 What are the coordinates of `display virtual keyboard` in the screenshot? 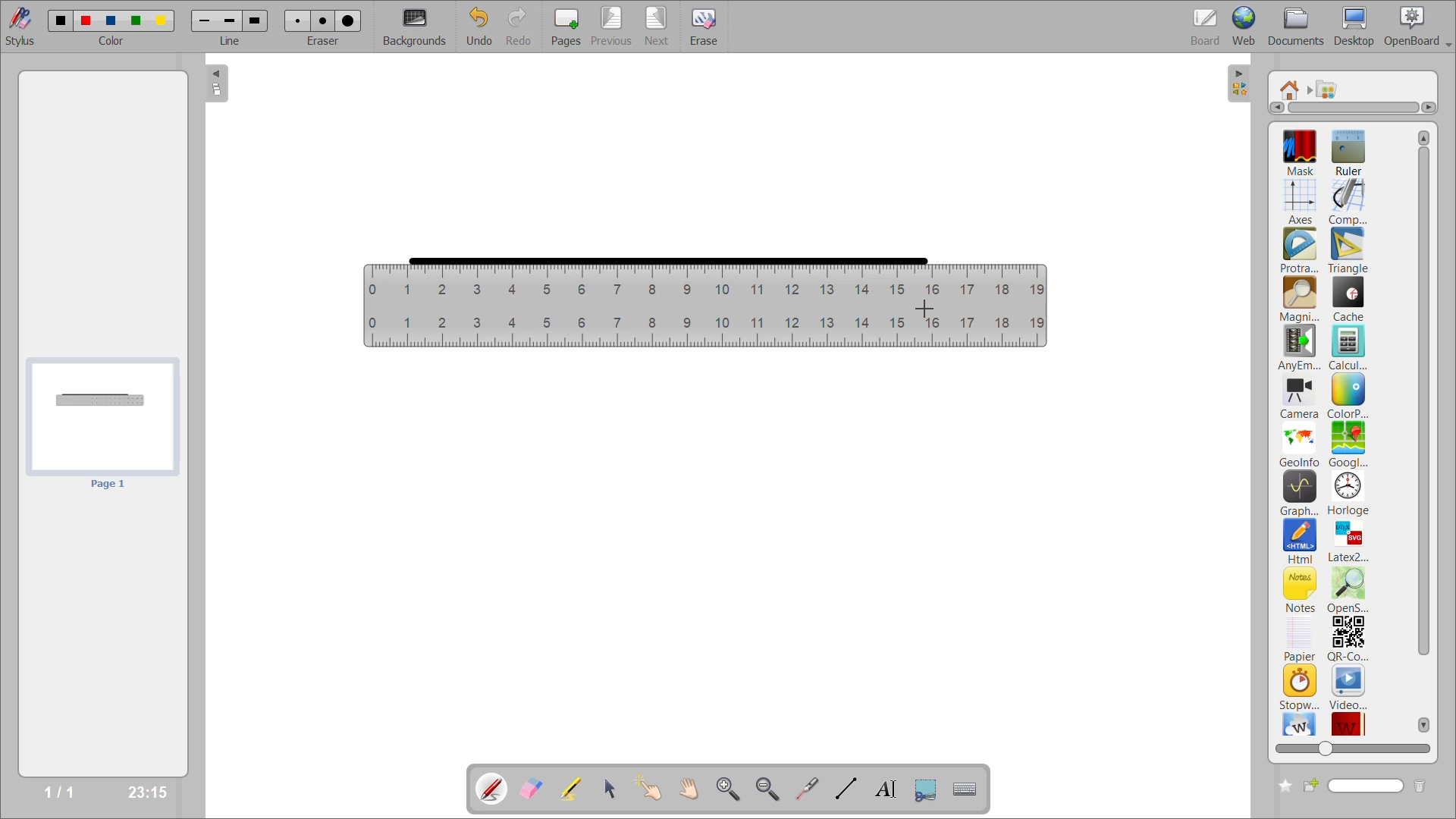 It's located at (968, 789).